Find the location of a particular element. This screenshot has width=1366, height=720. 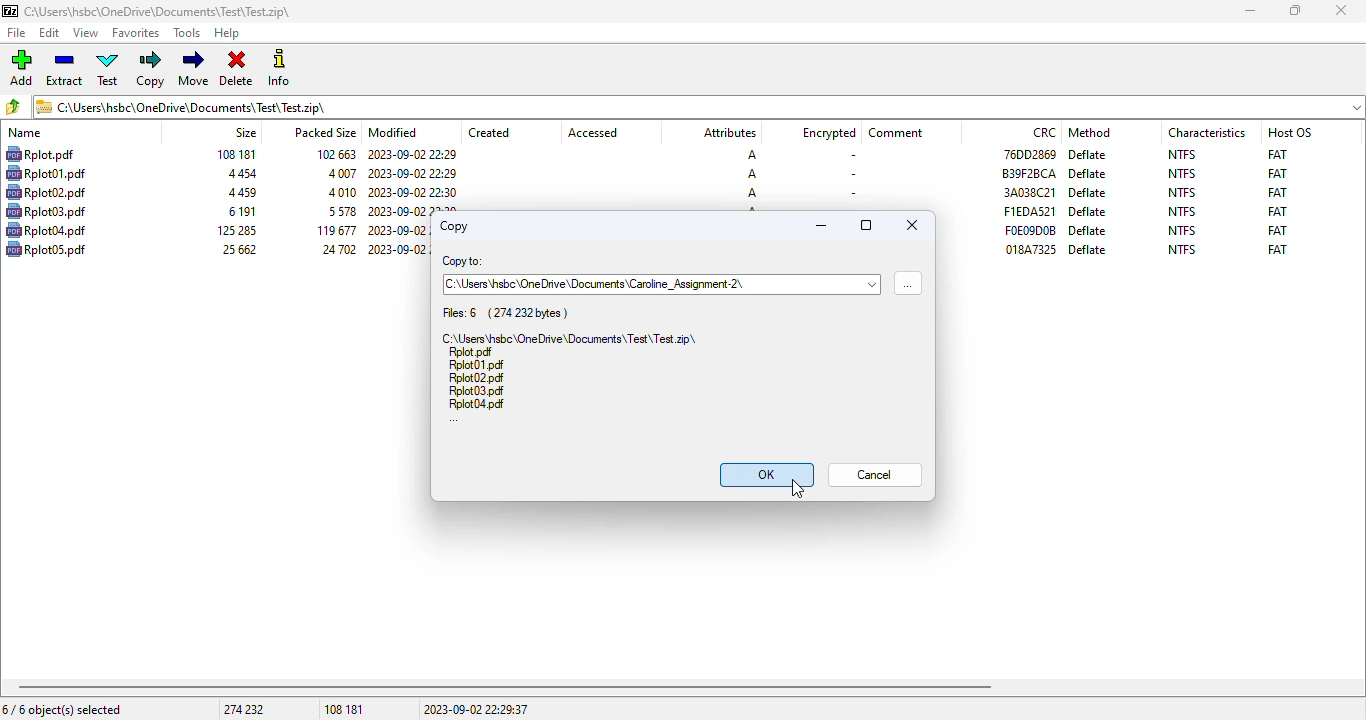

FAT is located at coordinates (1278, 211).